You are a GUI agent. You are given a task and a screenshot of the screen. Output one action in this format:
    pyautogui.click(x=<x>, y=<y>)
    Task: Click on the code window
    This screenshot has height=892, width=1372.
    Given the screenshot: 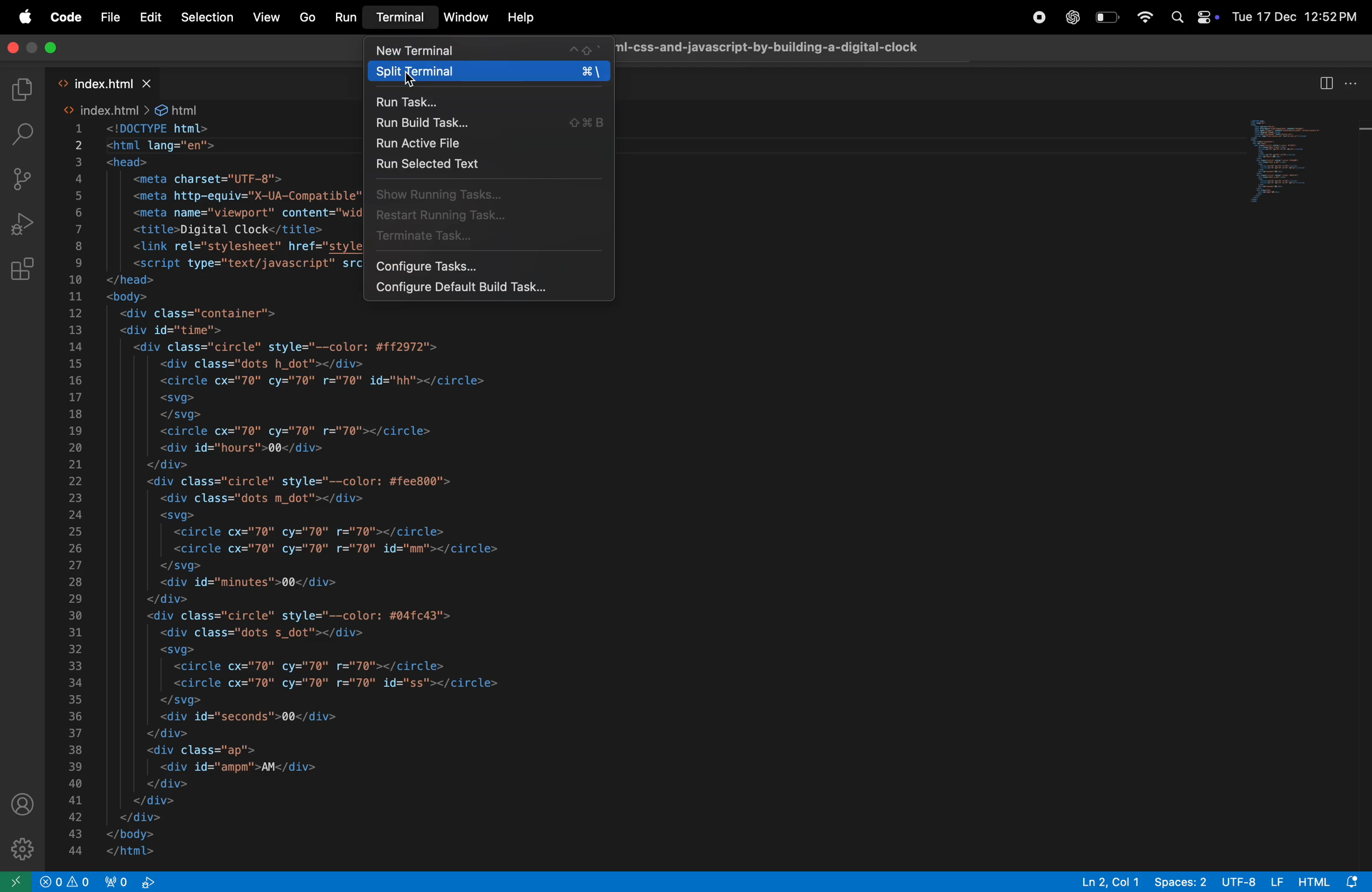 What is the action you would take?
    pyautogui.click(x=1296, y=164)
    